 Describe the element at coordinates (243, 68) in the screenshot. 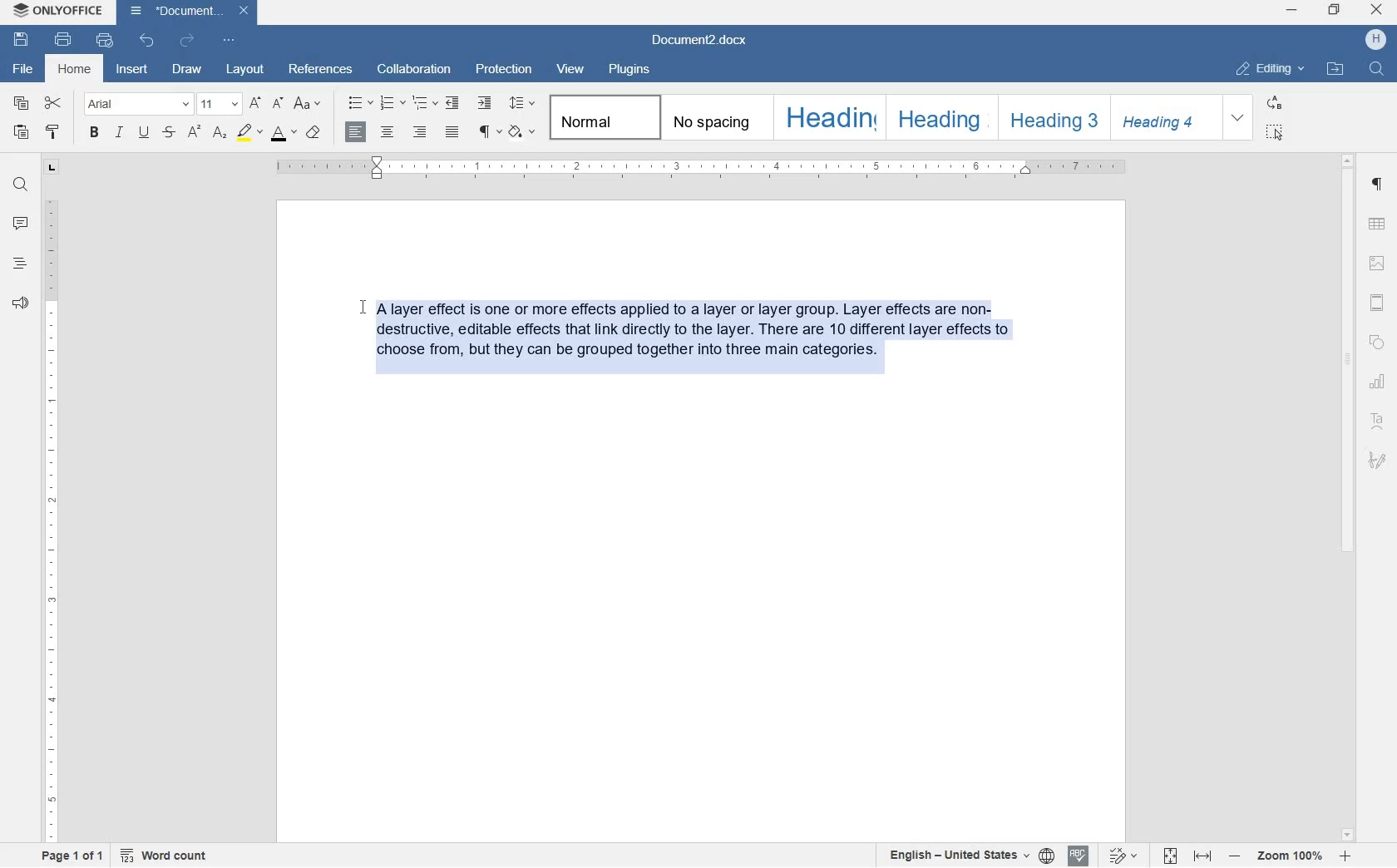

I see `layout` at that location.